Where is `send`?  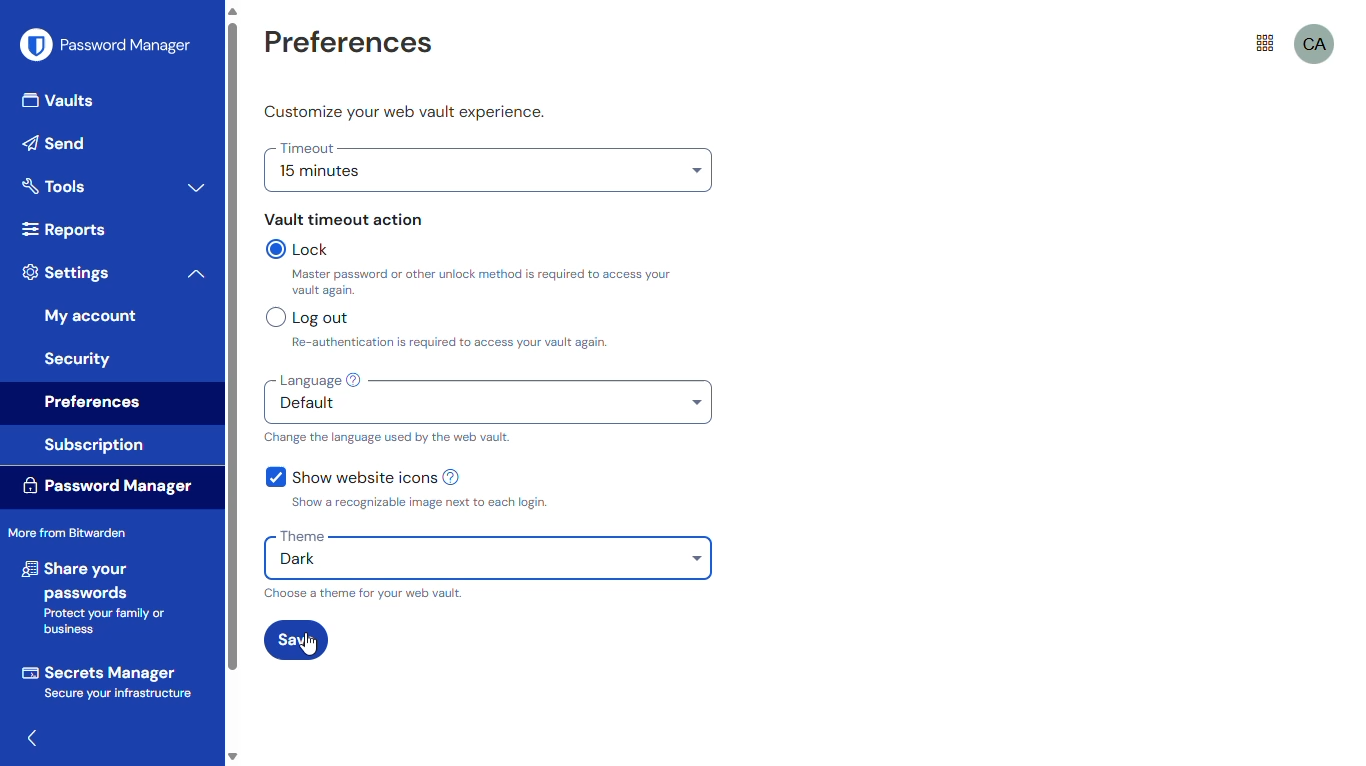
send is located at coordinates (59, 143).